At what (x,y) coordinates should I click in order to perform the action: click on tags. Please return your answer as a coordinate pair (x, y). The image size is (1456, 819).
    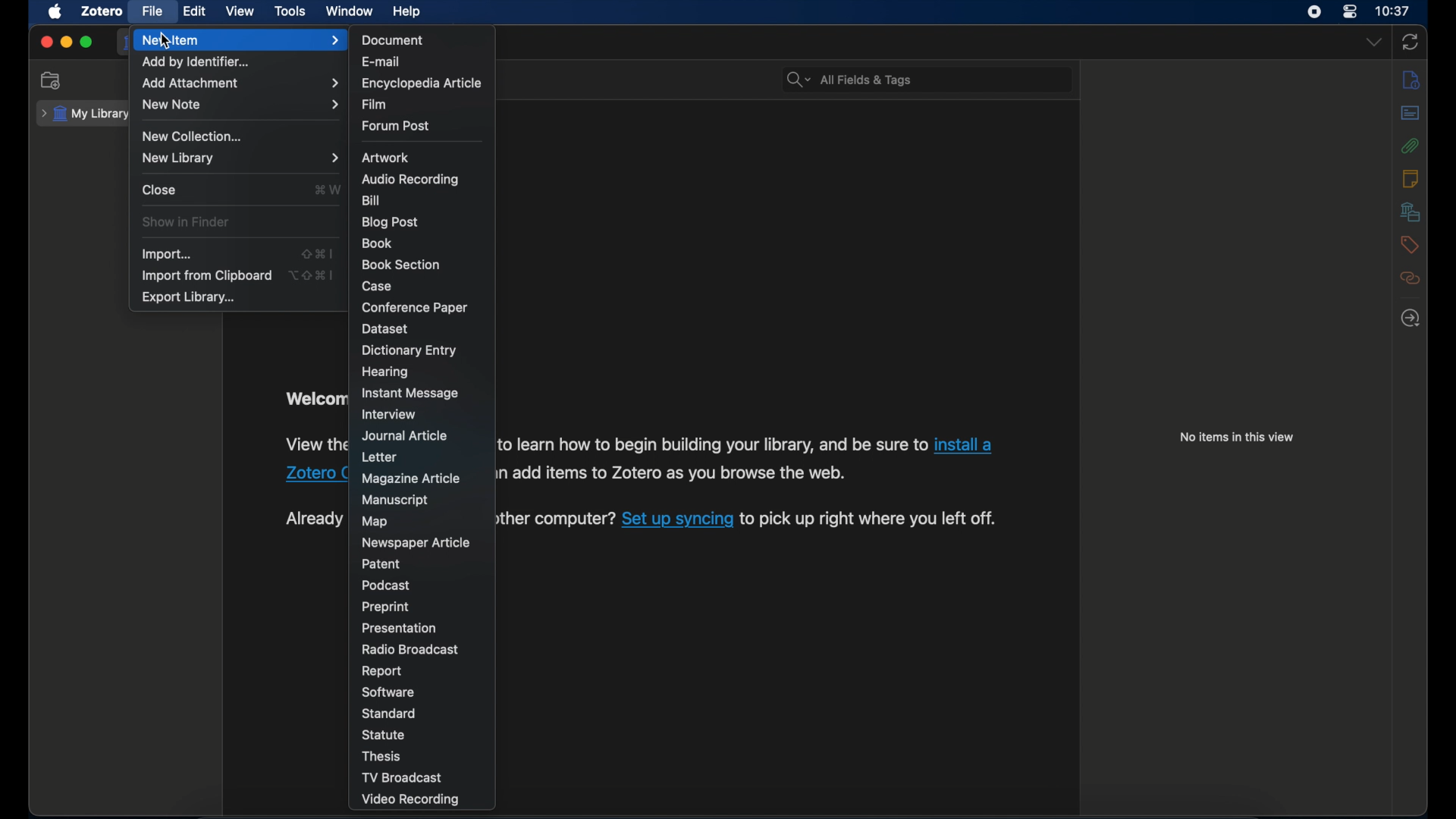
    Looking at the image, I should click on (1410, 245).